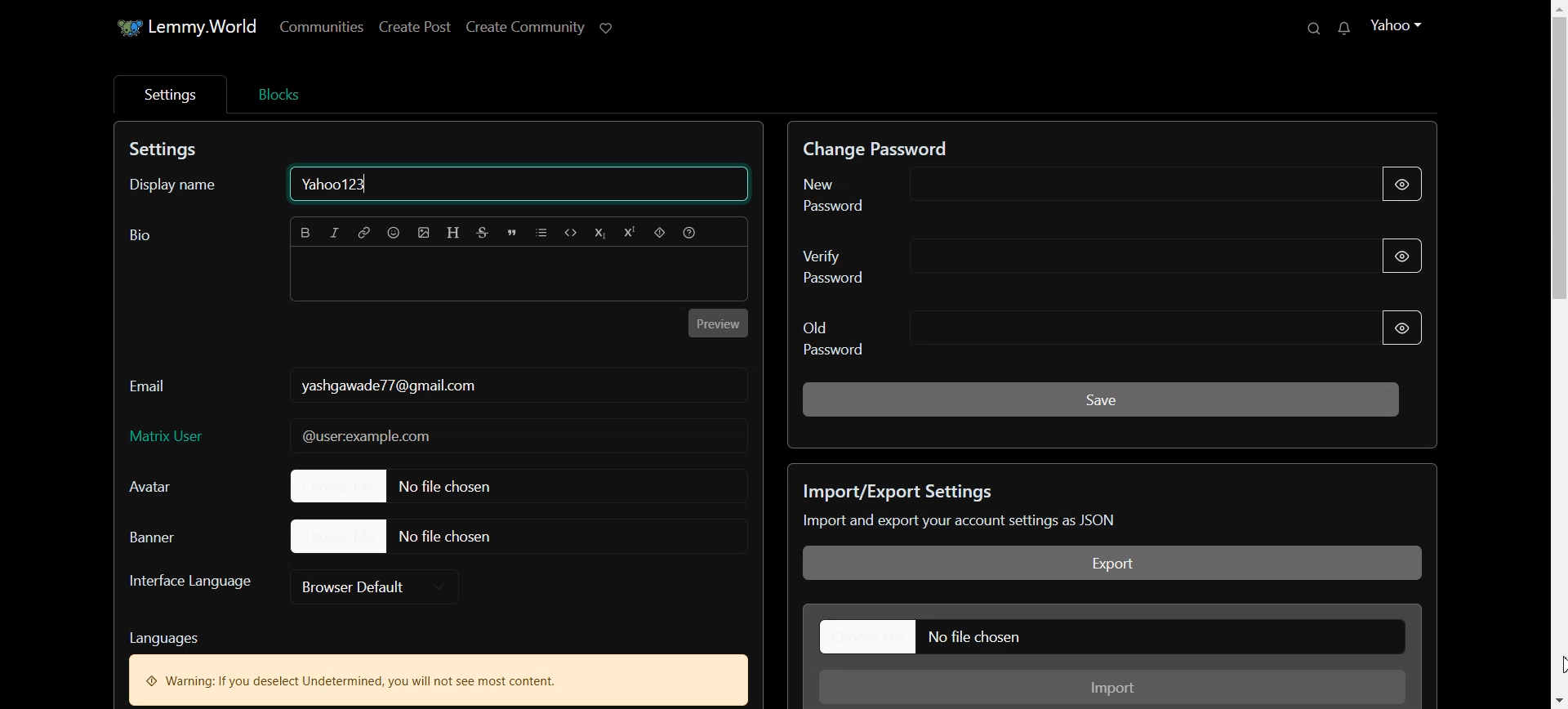 This screenshot has width=1568, height=709. What do you see at coordinates (387, 385) in the screenshot?
I see `Text` at bounding box center [387, 385].